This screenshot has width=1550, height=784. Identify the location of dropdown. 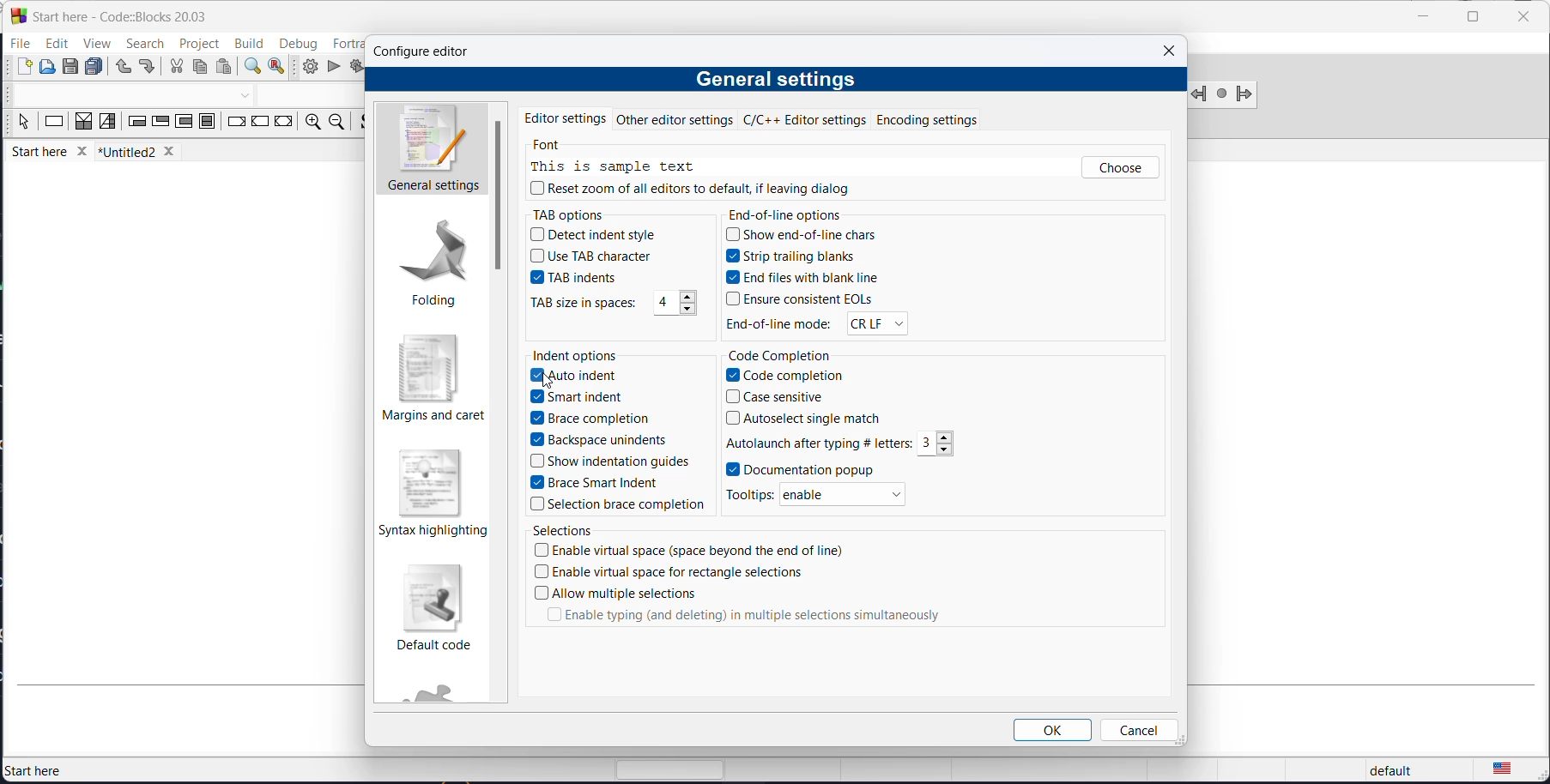
(245, 97).